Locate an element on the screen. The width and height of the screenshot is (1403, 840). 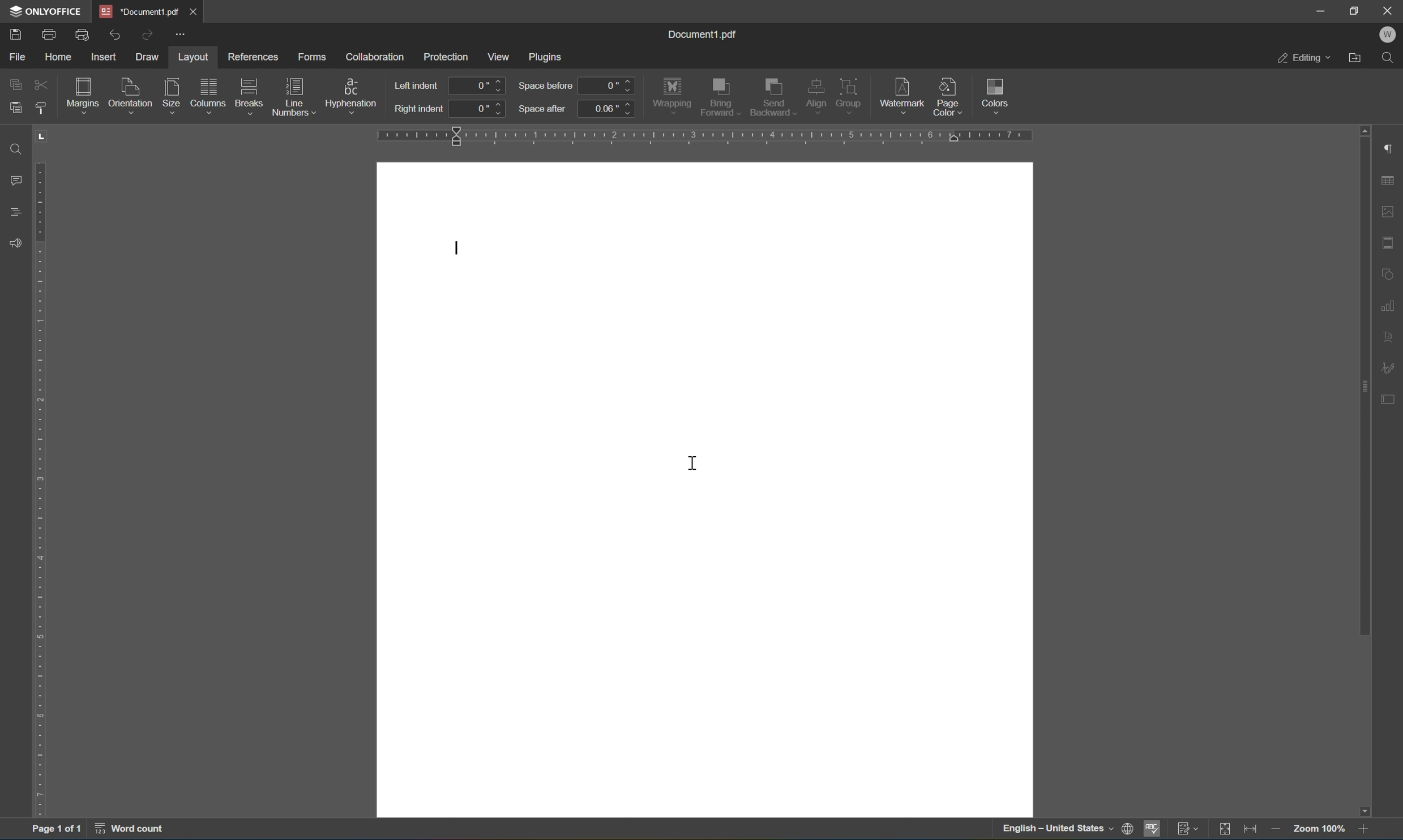
bring forward is located at coordinates (720, 97).